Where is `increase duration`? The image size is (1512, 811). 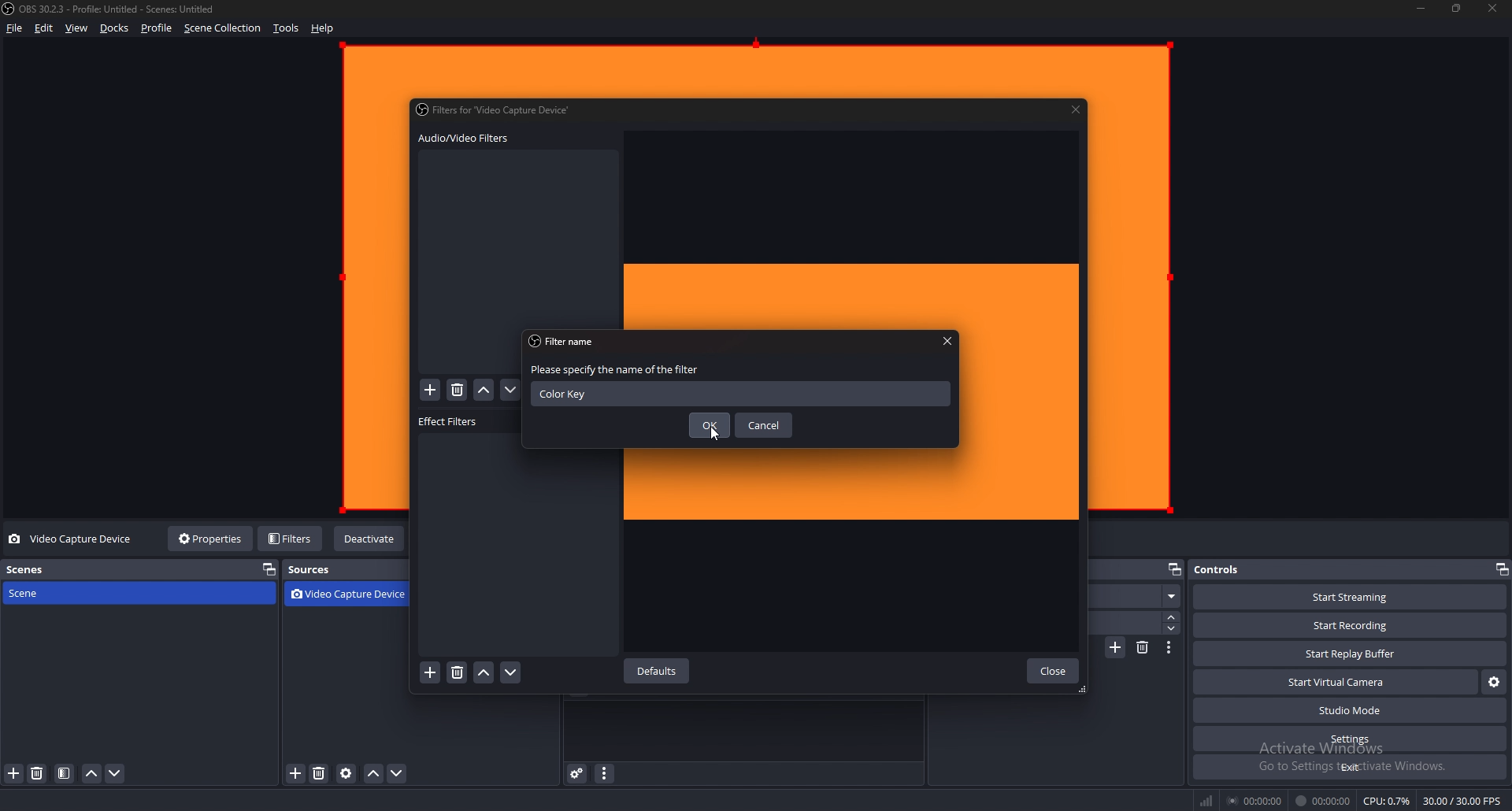
increase duration is located at coordinates (1172, 617).